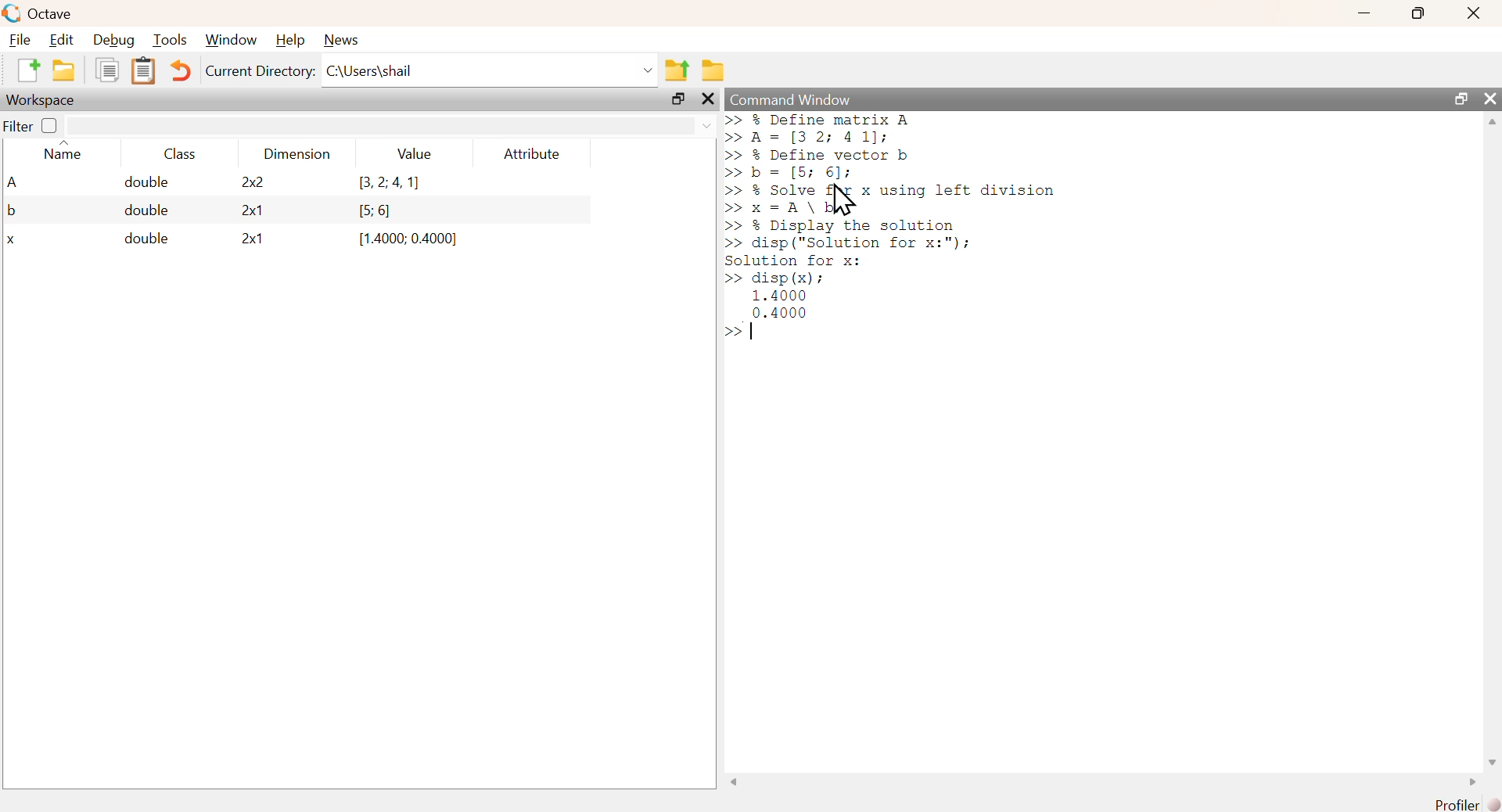 This screenshot has width=1502, height=812. I want to click on maximize, so click(679, 99).